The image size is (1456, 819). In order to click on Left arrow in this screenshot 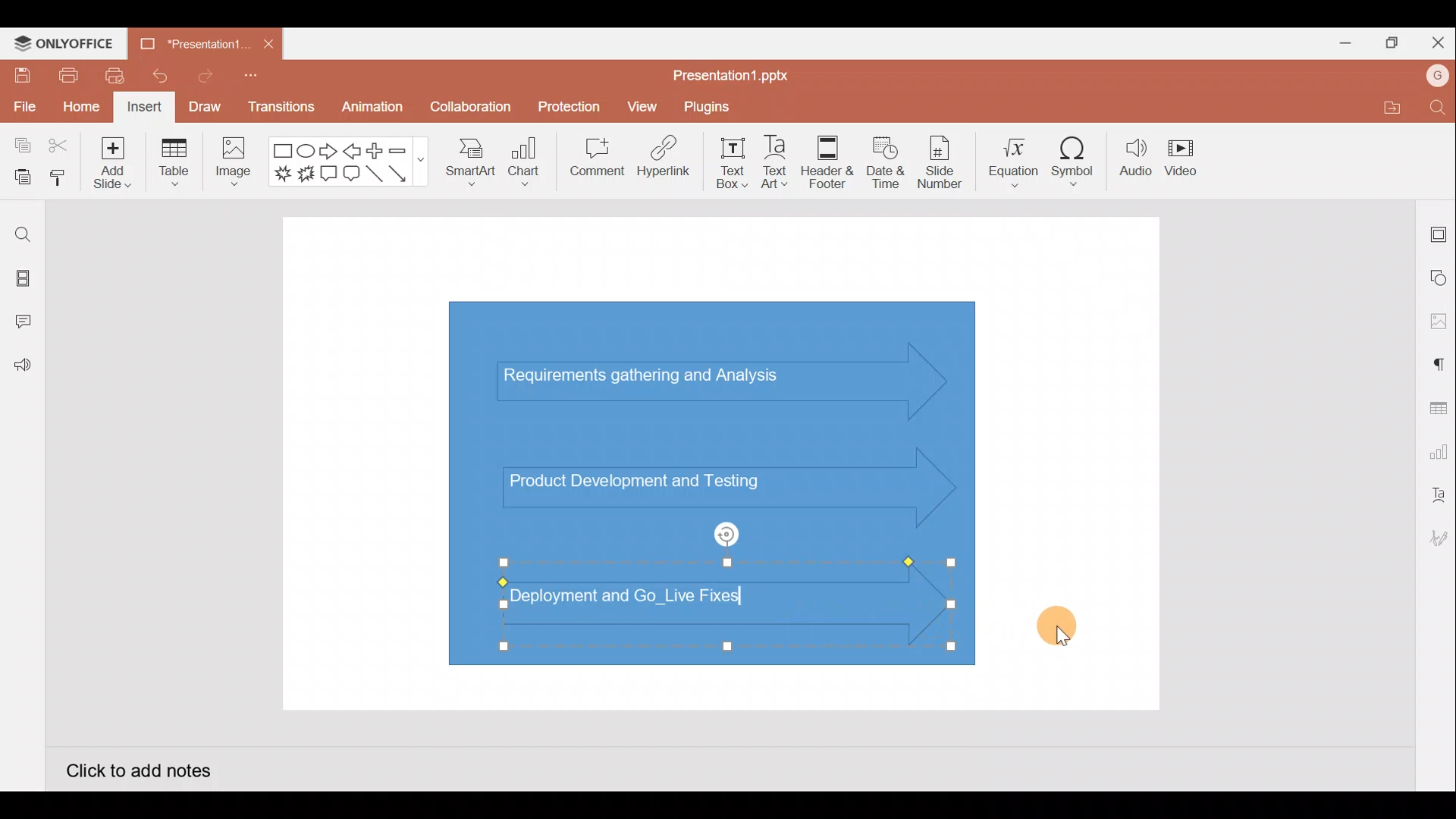, I will do `click(353, 151)`.